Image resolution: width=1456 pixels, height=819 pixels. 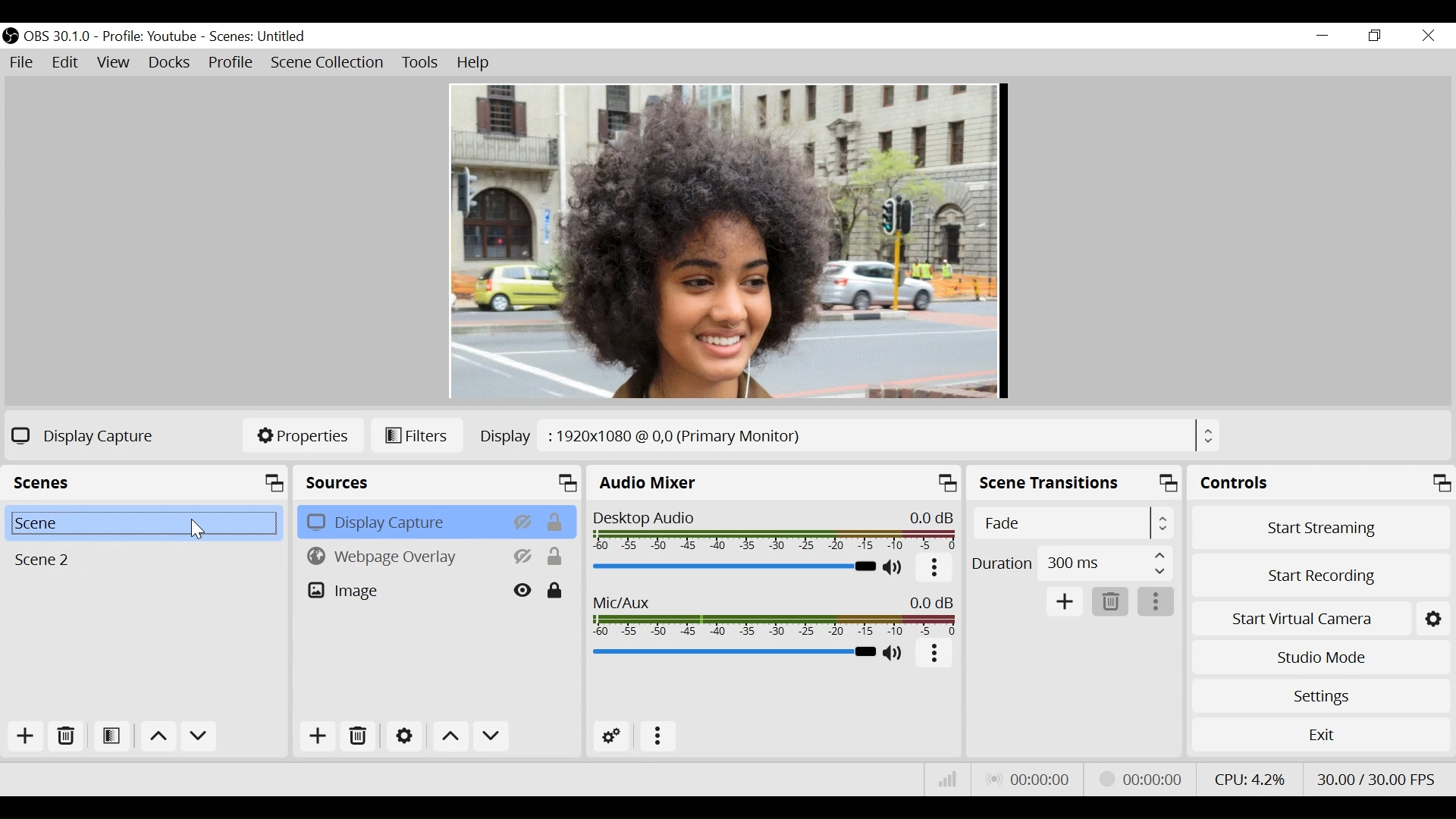 I want to click on Delete, so click(x=358, y=734).